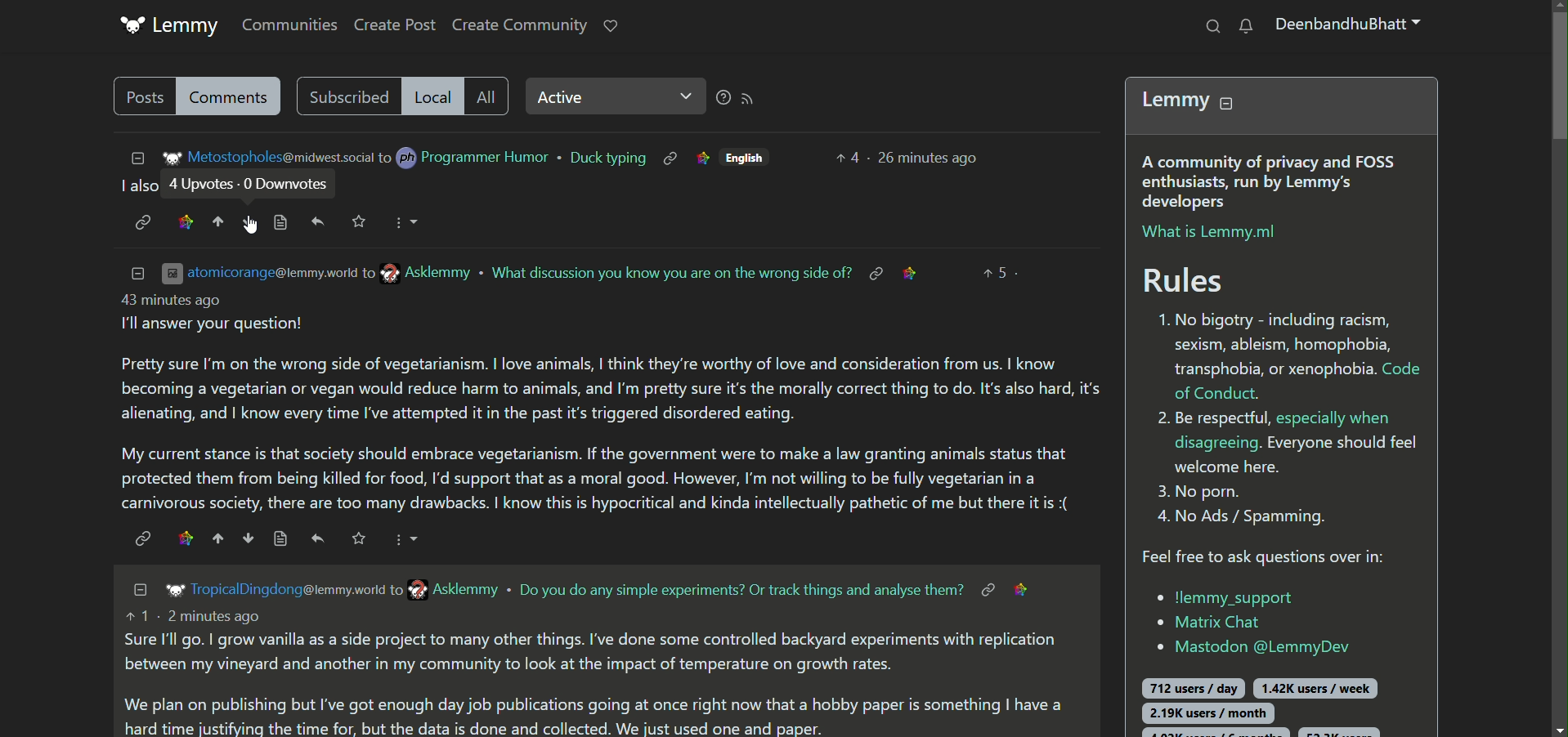 The height and width of the screenshot is (737, 1568). What do you see at coordinates (137, 589) in the screenshot?
I see `minimize` at bounding box center [137, 589].